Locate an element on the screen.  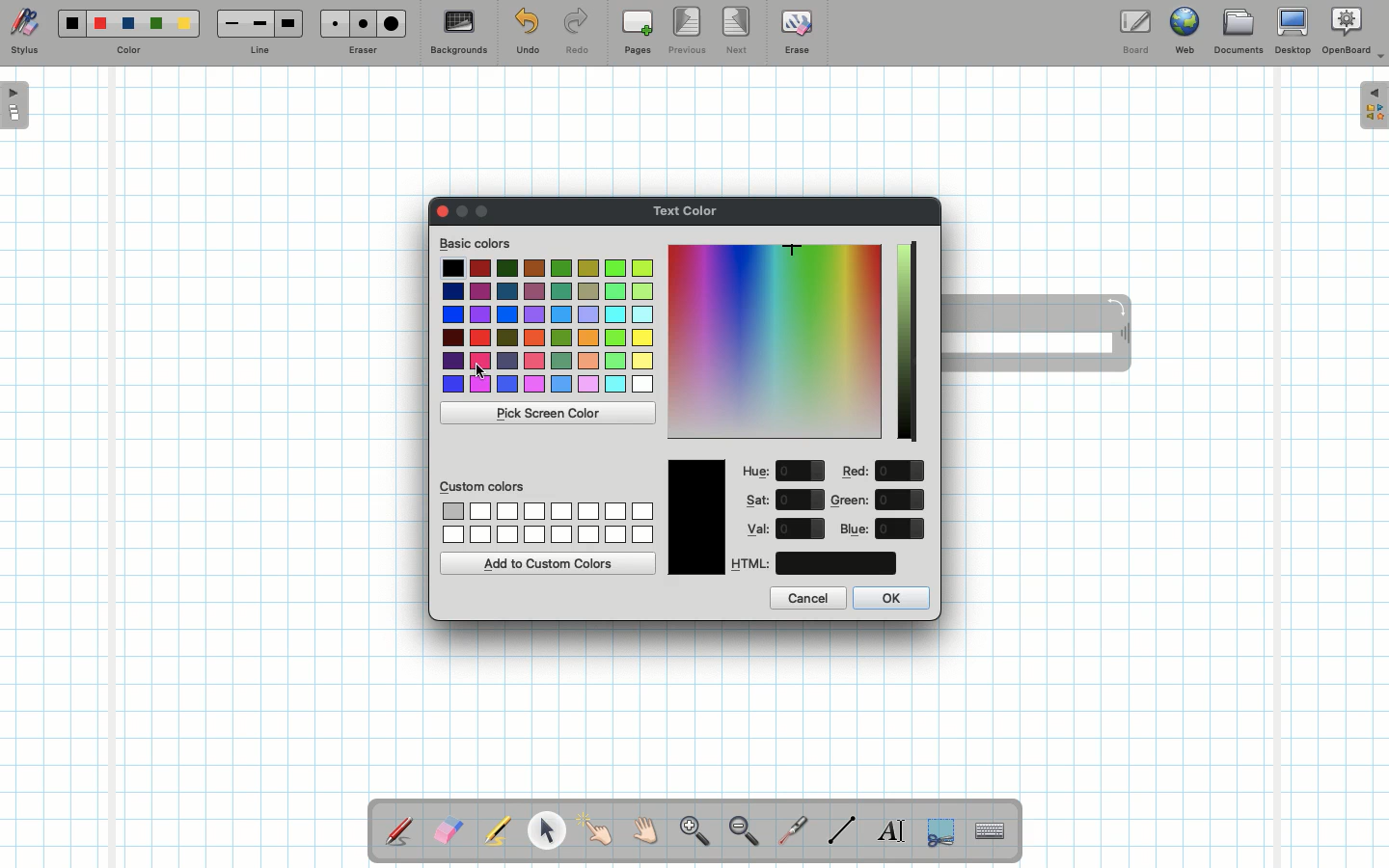
Text color is located at coordinates (688, 207).